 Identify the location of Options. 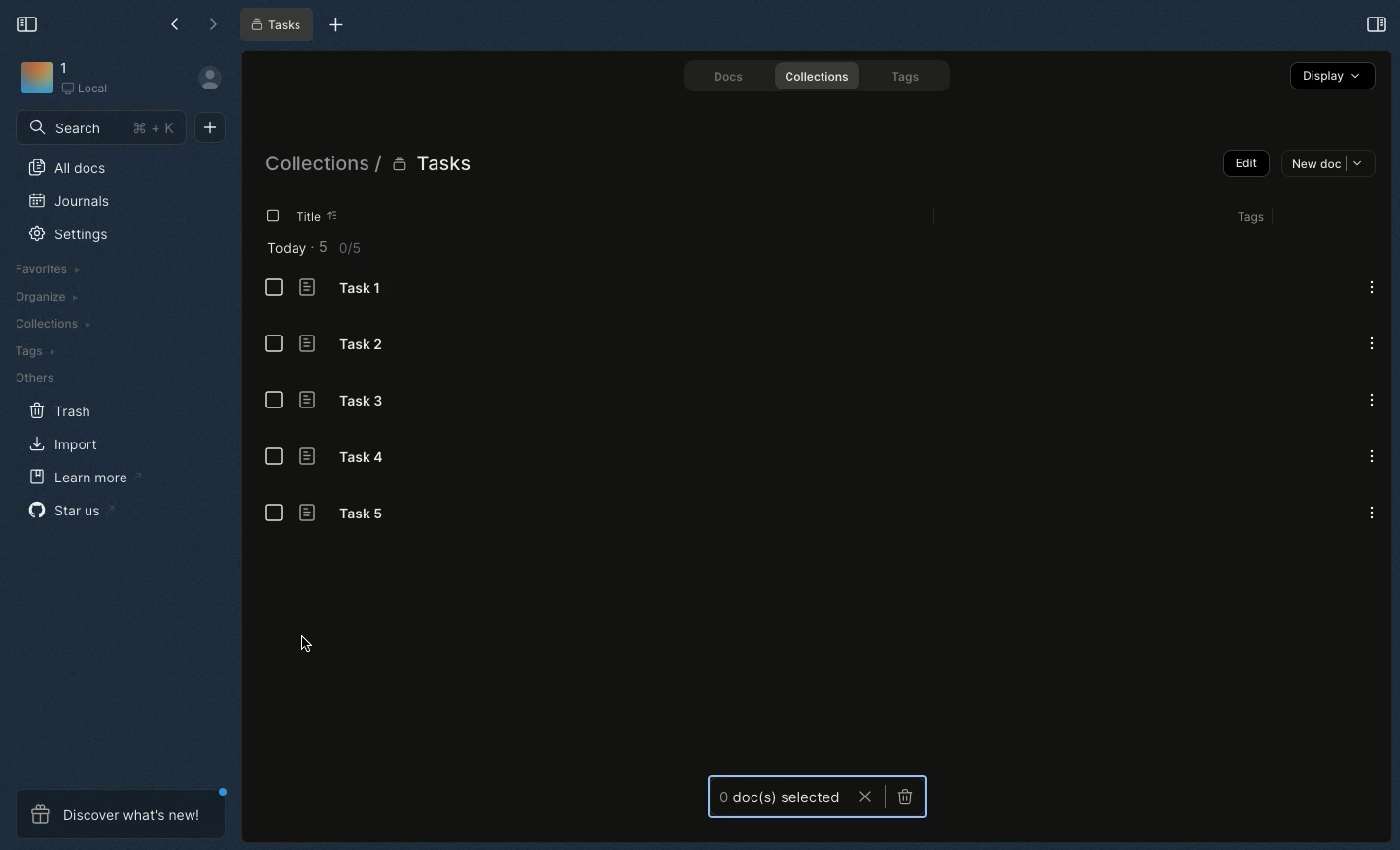
(1370, 511).